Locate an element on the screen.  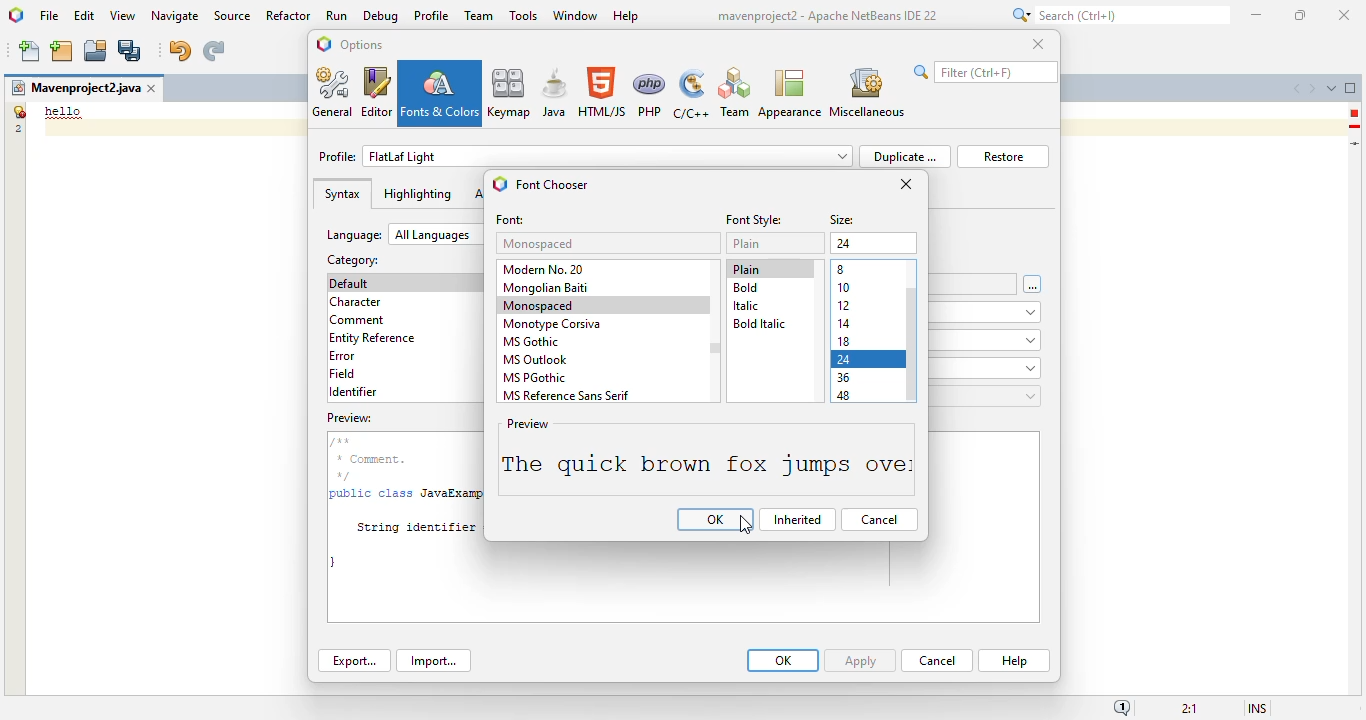
error is located at coordinates (1354, 113).